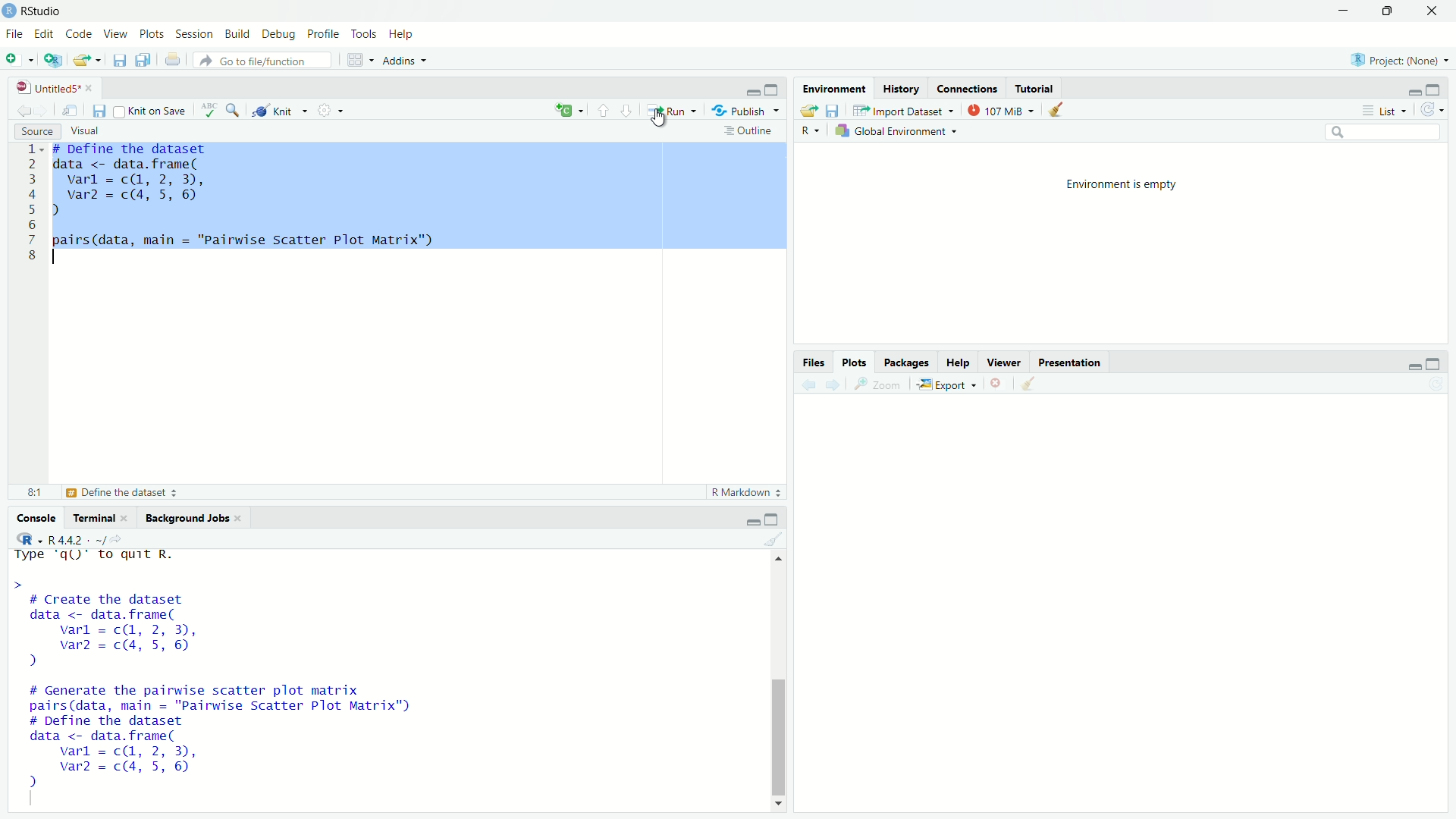 The height and width of the screenshot is (819, 1456). I want to click on Type 'qQ)" to quit R.
>
# Create the dataset
data <- data.frame(
varl = c(, 2, 3),
var2 = c(4, 5, 6)
)
# Generate the pairwise scatter plot matrix
pairs(data, main = "Pairwise Scatter Plot Matrix")
# Define the dataset
data <- data.frame(
varl = cQ, 2, 3),
var2 = c(4, 5, 6)
2, so click(265, 674).